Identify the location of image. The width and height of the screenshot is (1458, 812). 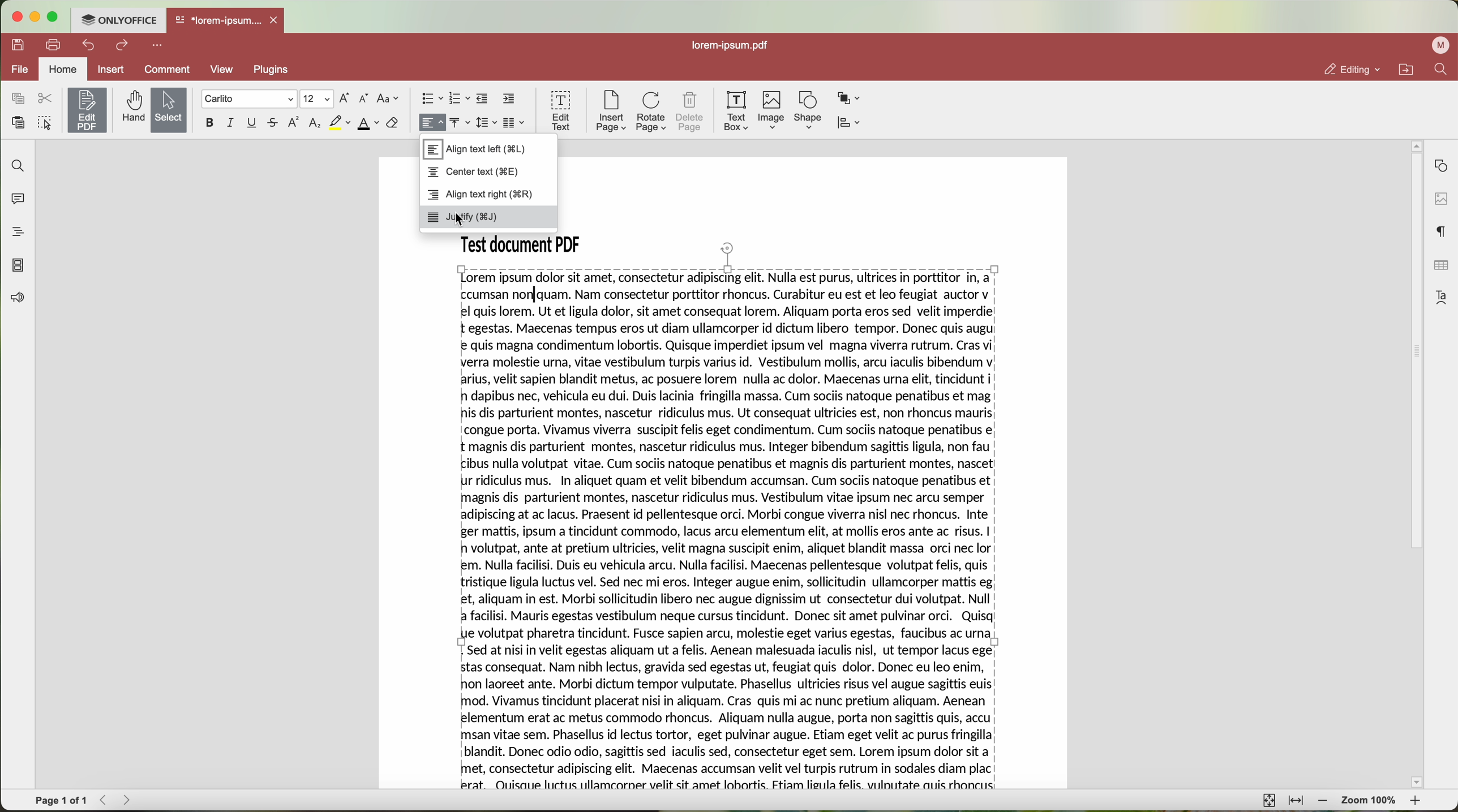
(773, 110).